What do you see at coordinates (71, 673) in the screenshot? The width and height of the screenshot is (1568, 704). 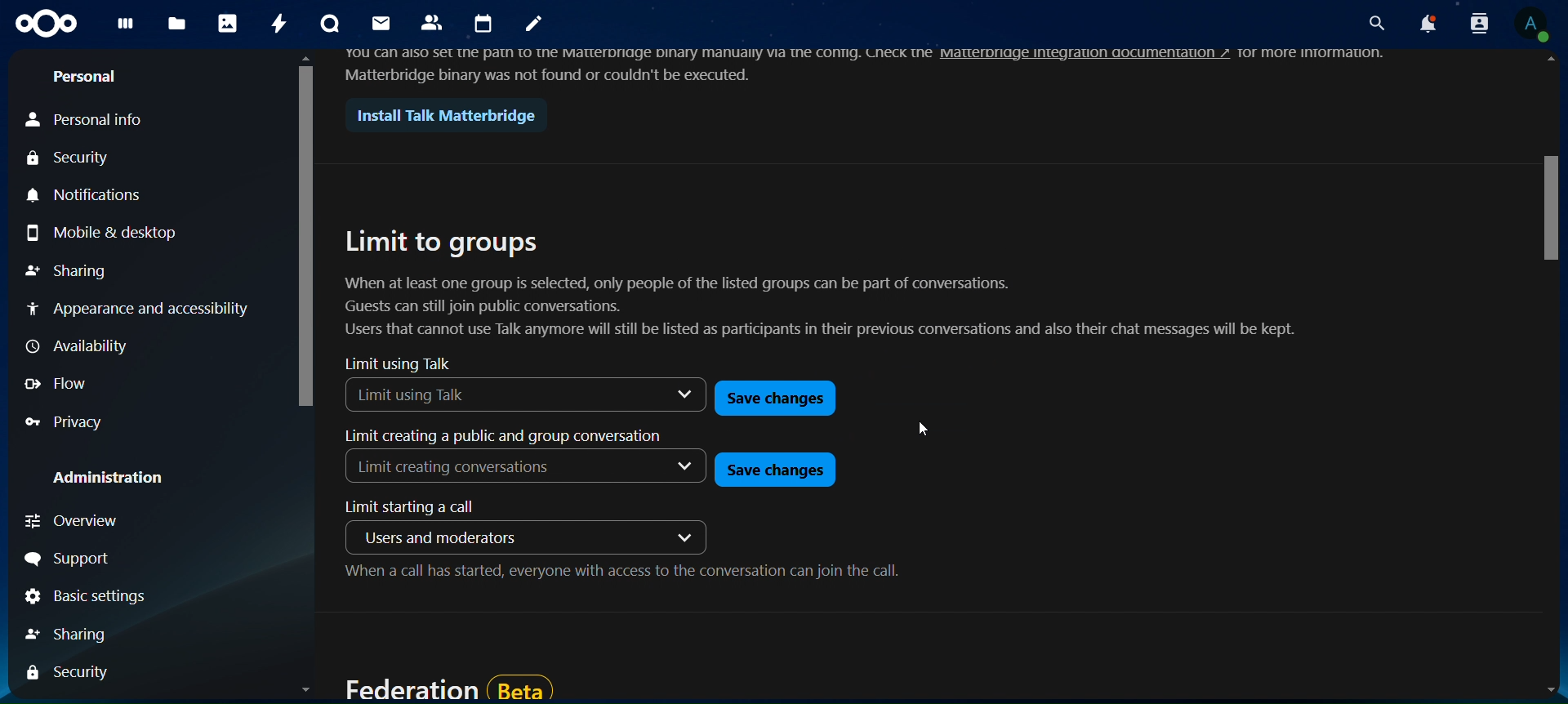 I see `security` at bounding box center [71, 673].